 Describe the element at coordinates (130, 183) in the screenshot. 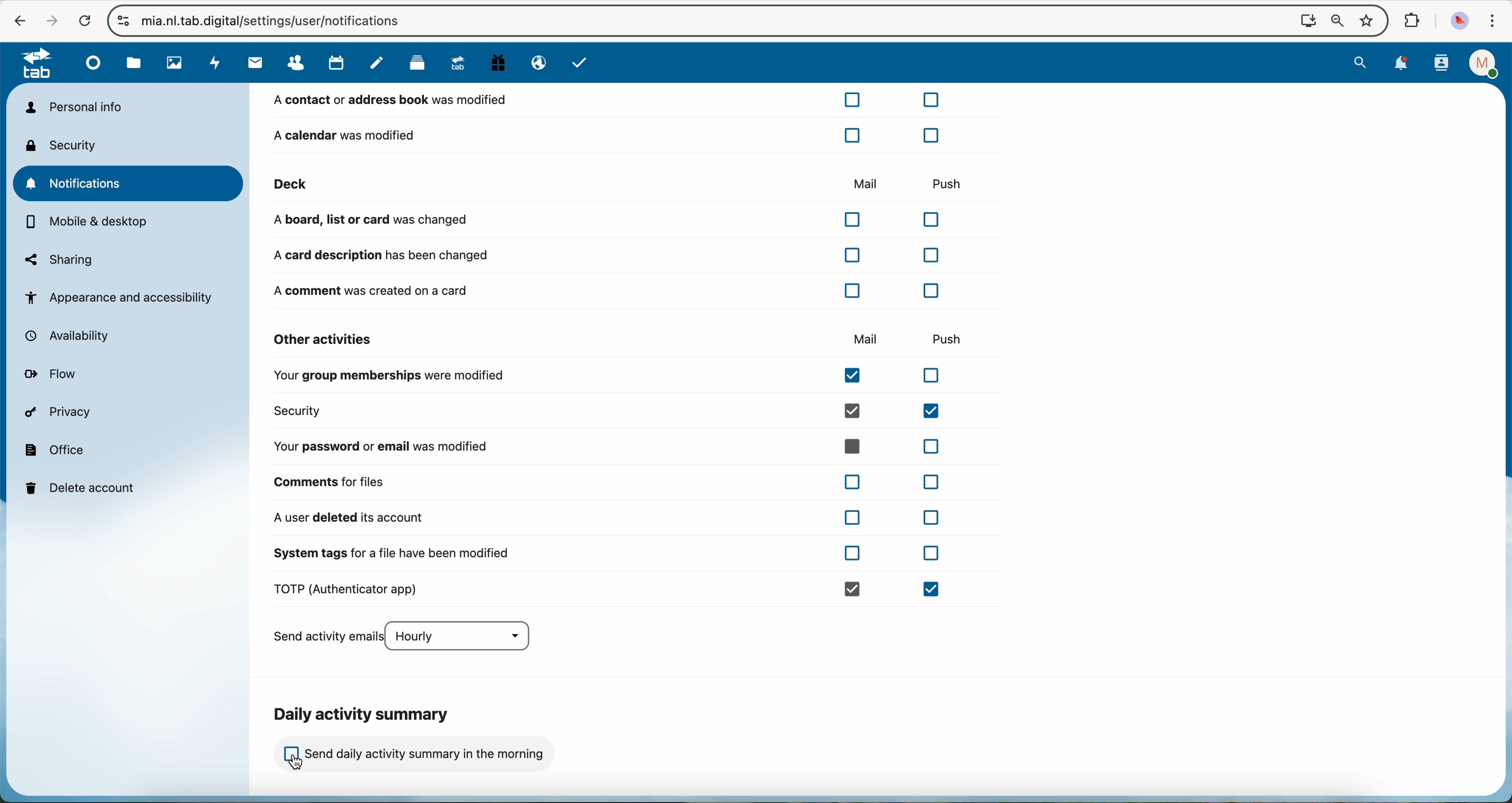

I see `notifications` at that location.